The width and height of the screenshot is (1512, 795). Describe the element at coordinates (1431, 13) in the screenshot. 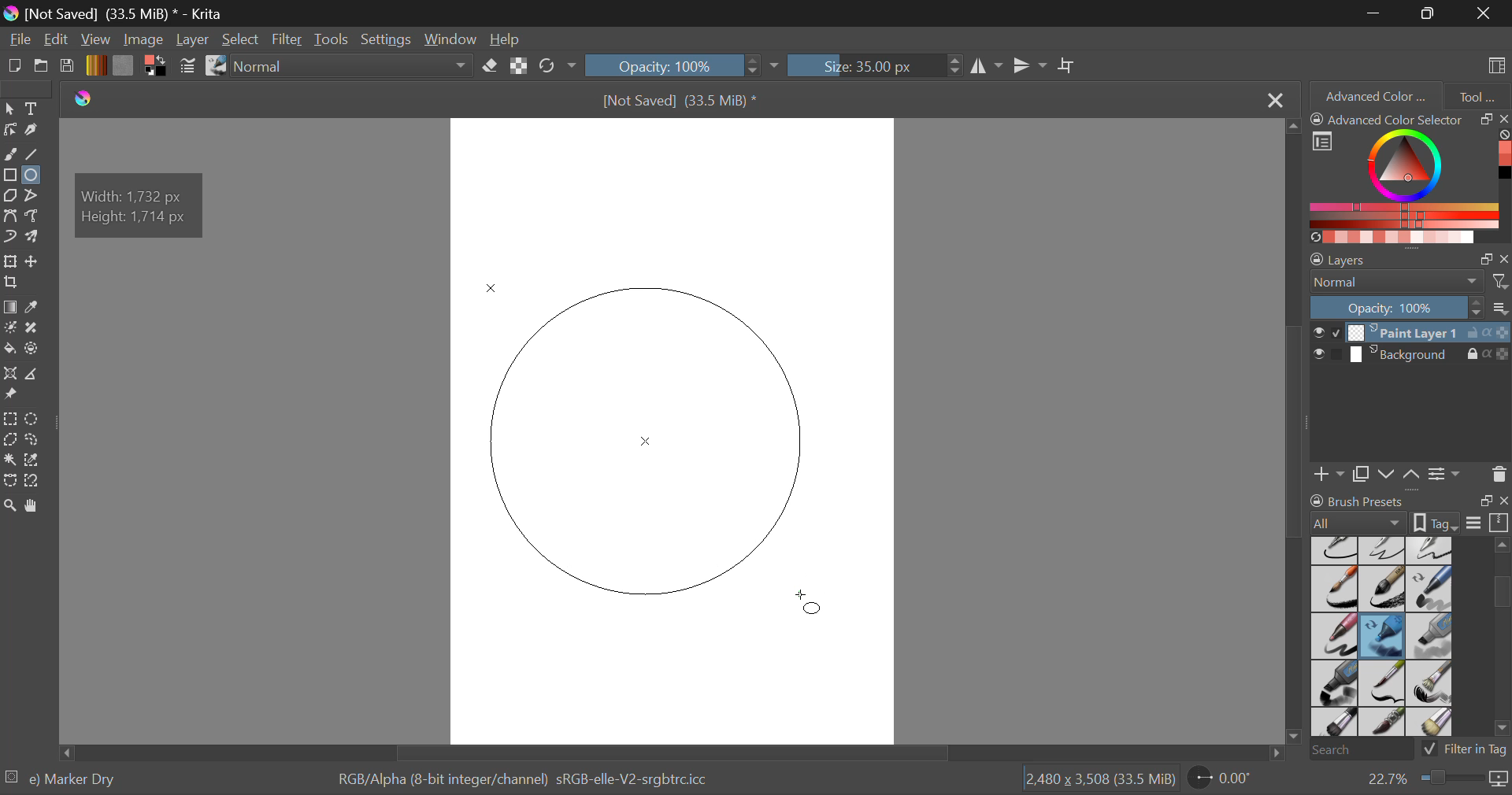

I see `Minimize` at that location.